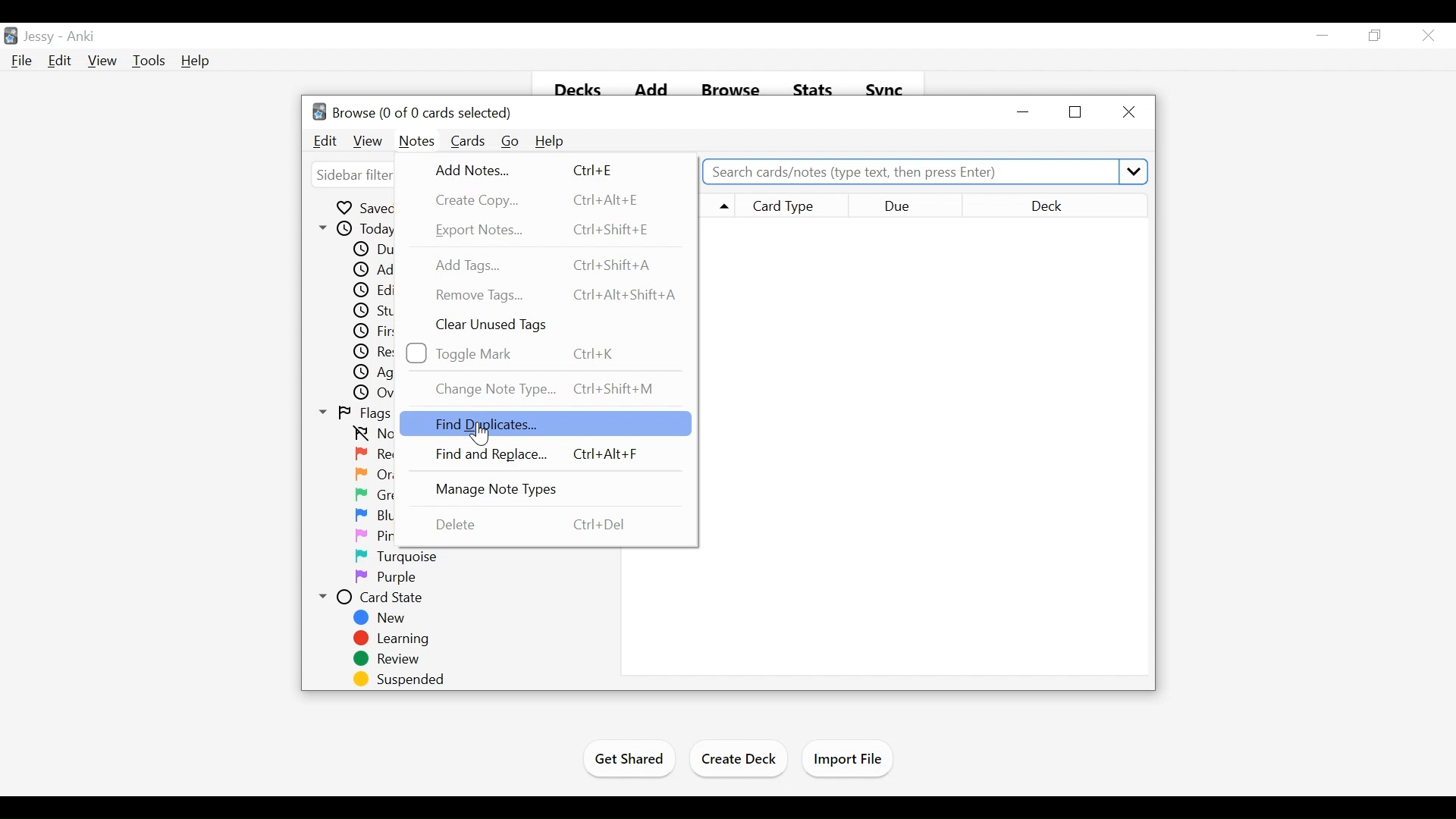 The image size is (1456, 819). What do you see at coordinates (886, 87) in the screenshot?
I see `Sync` at bounding box center [886, 87].